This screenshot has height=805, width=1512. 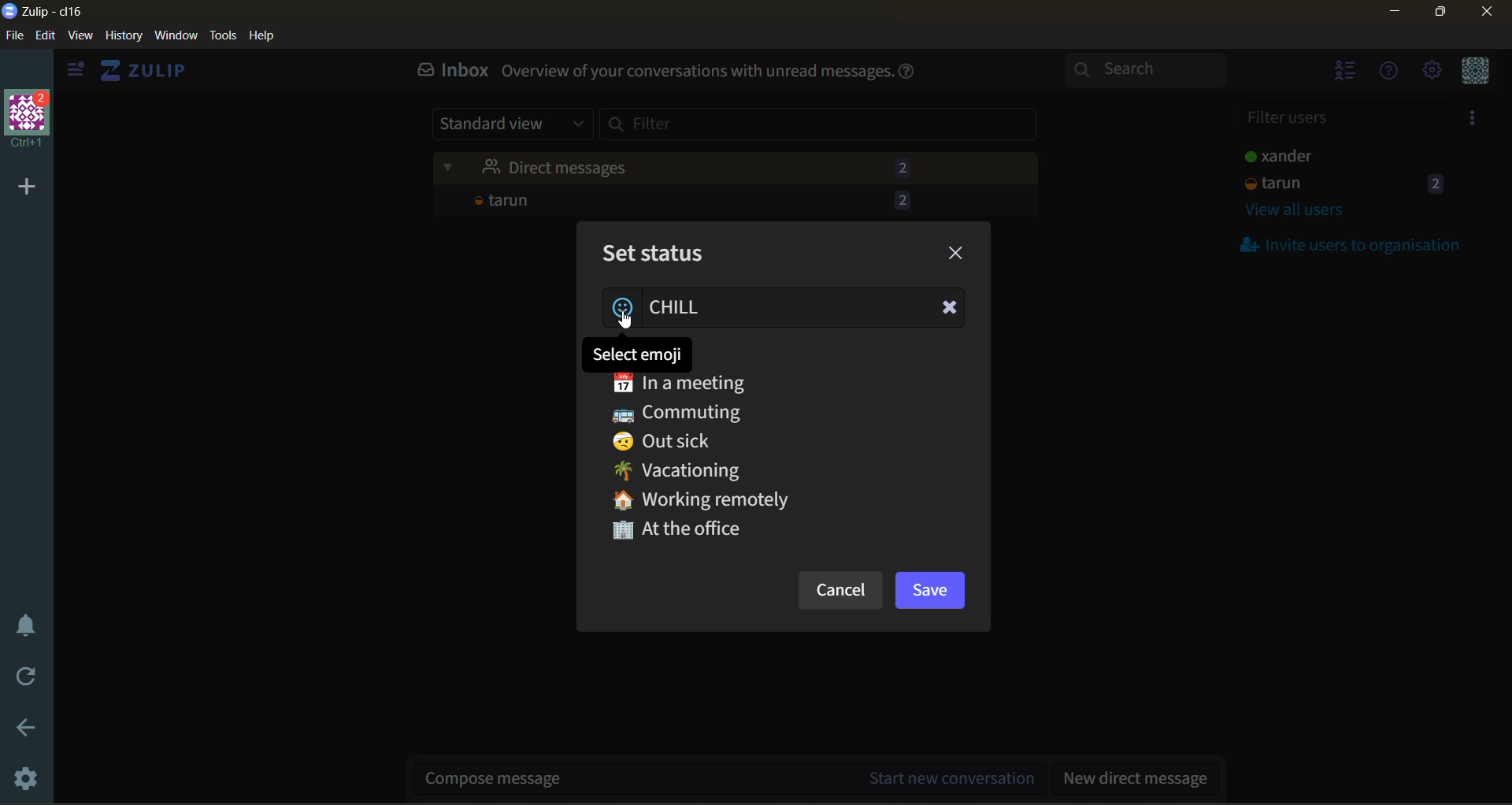 I want to click on search, so click(x=1152, y=71).